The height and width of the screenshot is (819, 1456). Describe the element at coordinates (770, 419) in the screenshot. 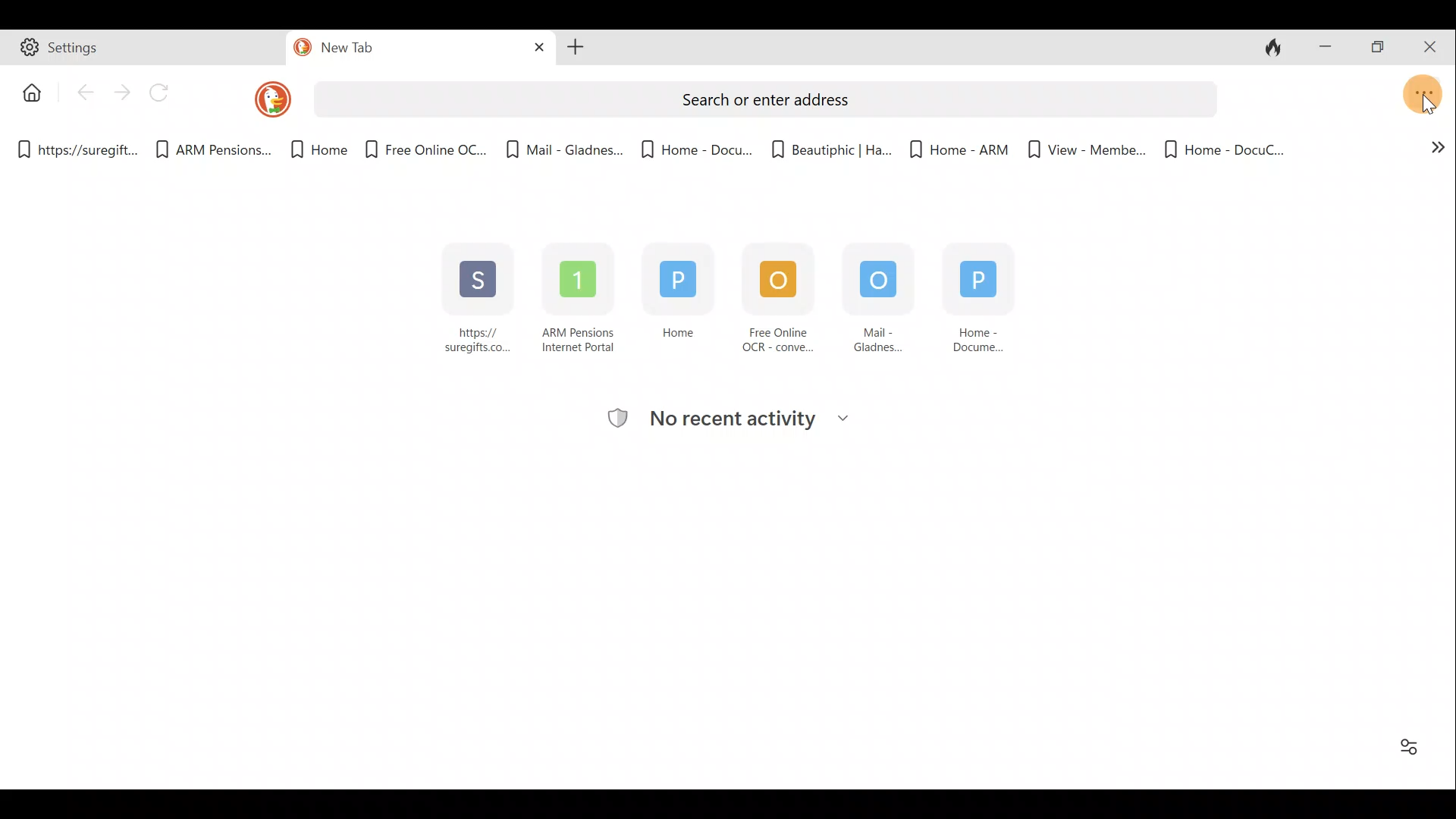

I see `Recent activity tracking` at that location.